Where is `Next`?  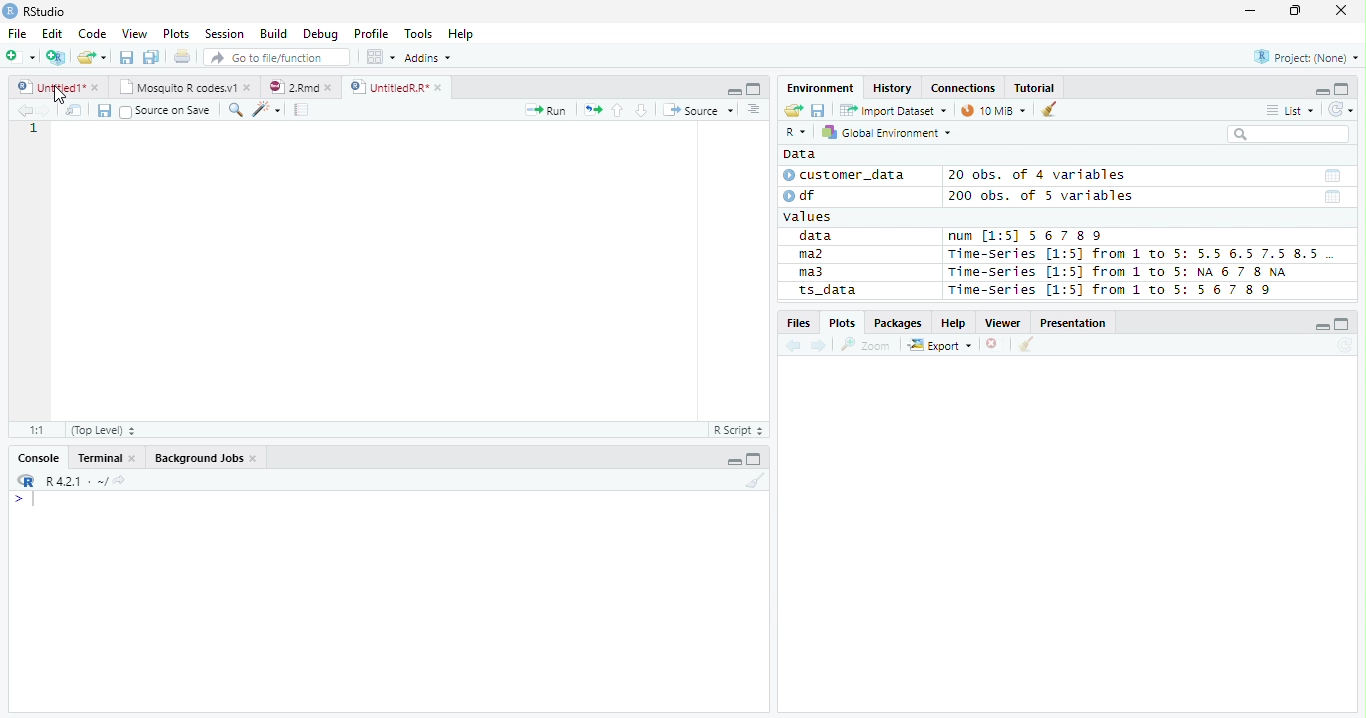 Next is located at coordinates (820, 347).